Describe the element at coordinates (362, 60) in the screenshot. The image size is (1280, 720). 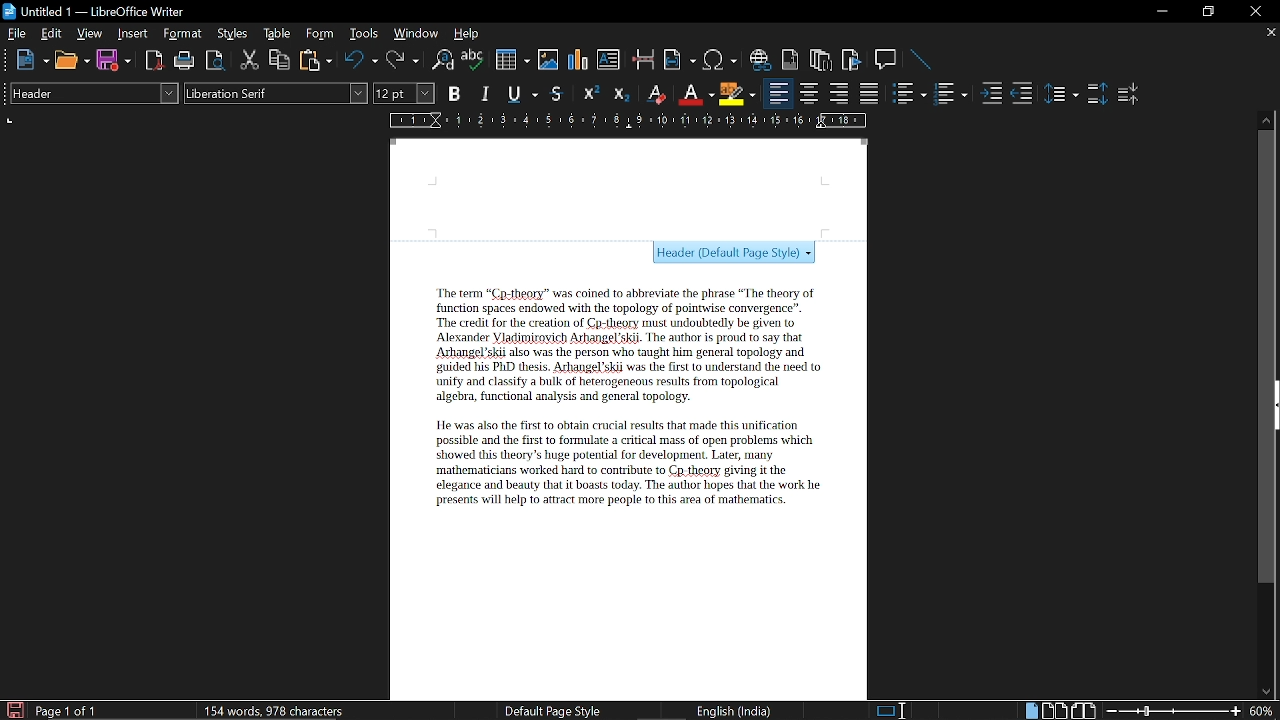
I see `Undo` at that location.